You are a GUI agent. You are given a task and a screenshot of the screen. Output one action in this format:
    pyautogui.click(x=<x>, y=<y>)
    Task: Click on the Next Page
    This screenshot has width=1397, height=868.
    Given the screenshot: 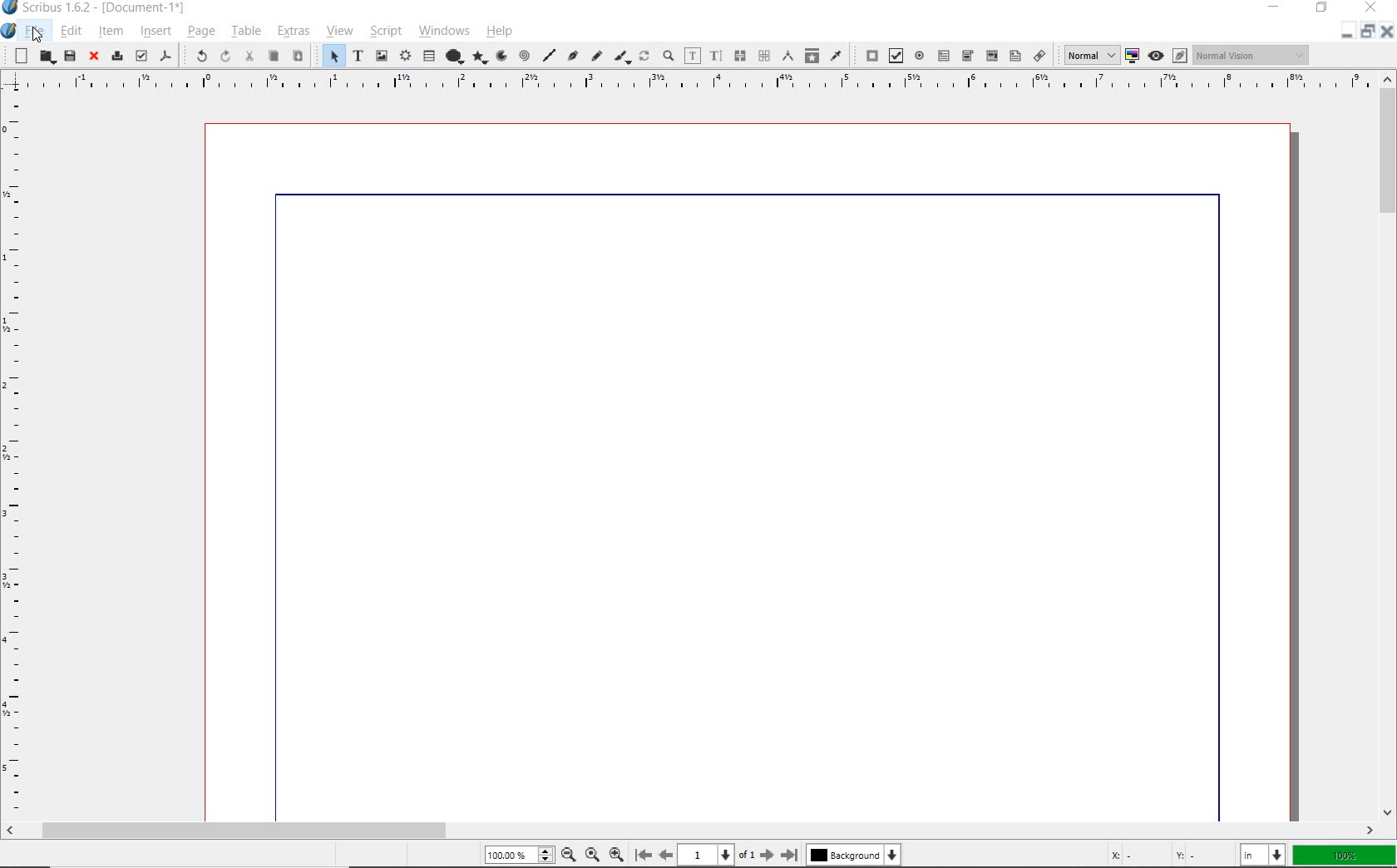 What is the action you would take?
    pyautogui.click(x=768, y=856)
    